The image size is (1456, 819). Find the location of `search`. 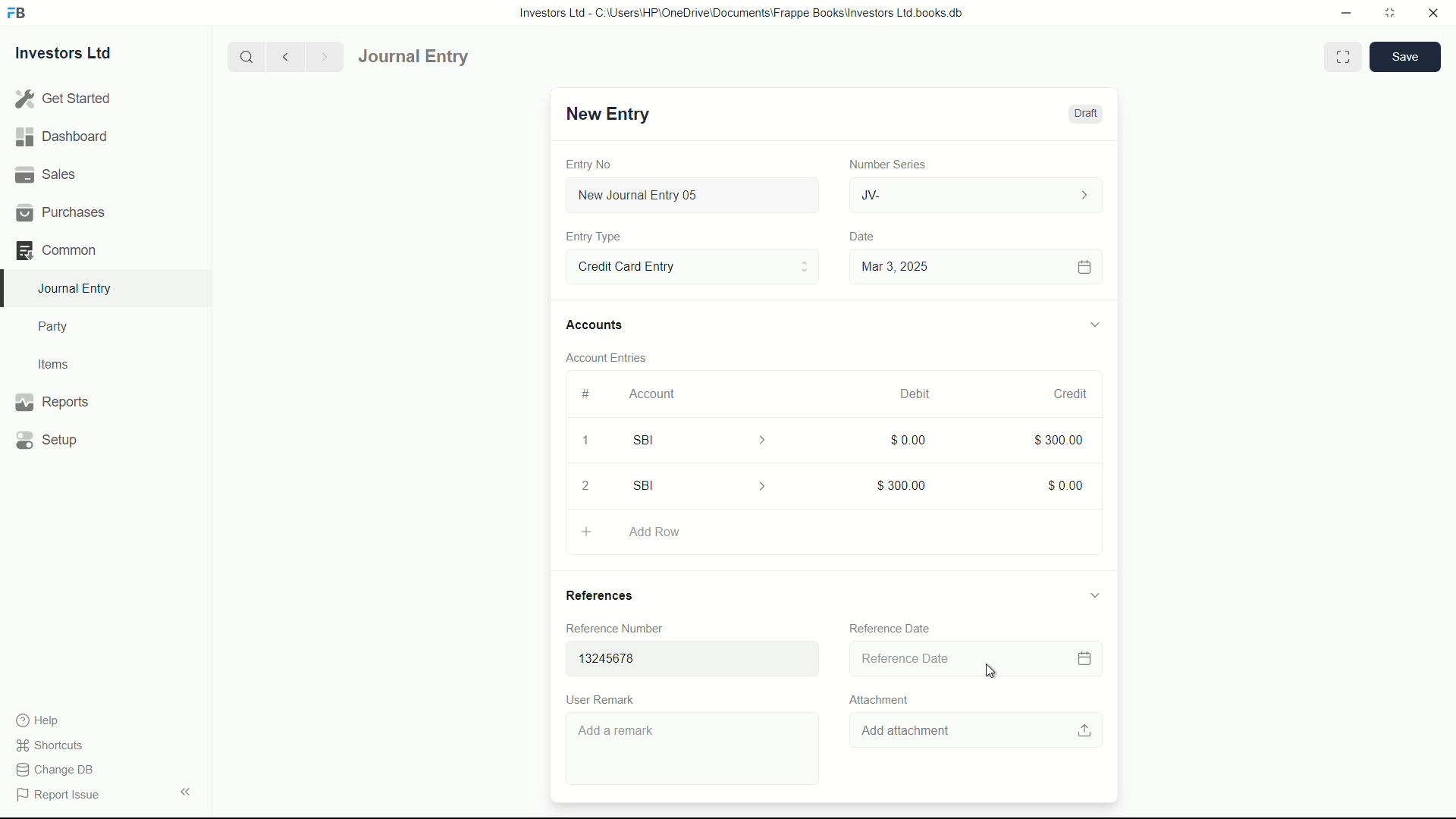

search is located at coordinates (245, 55).